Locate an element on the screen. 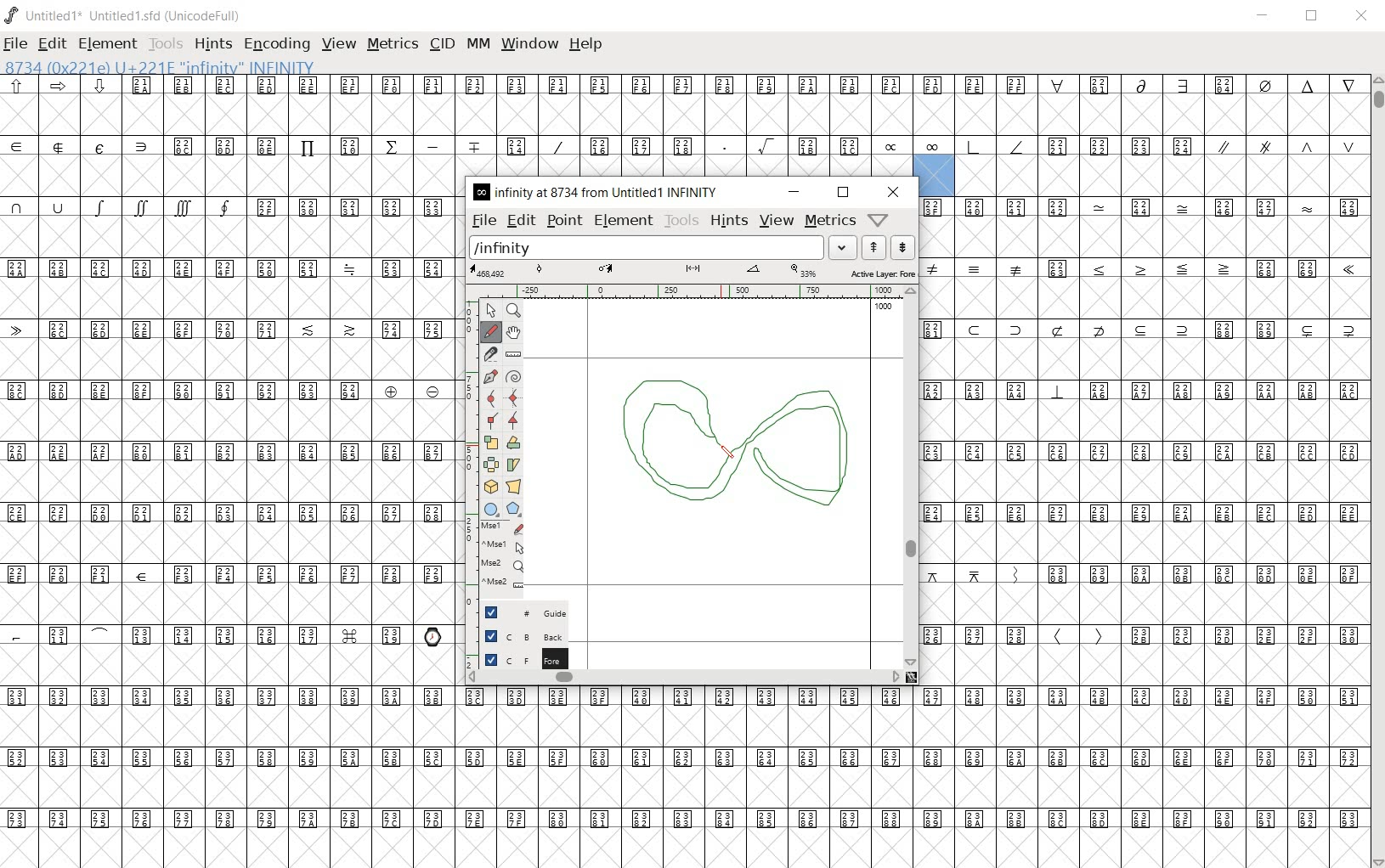 The image size is (1385, 868). empty glyph slots is located at coordinates (1143, 541).